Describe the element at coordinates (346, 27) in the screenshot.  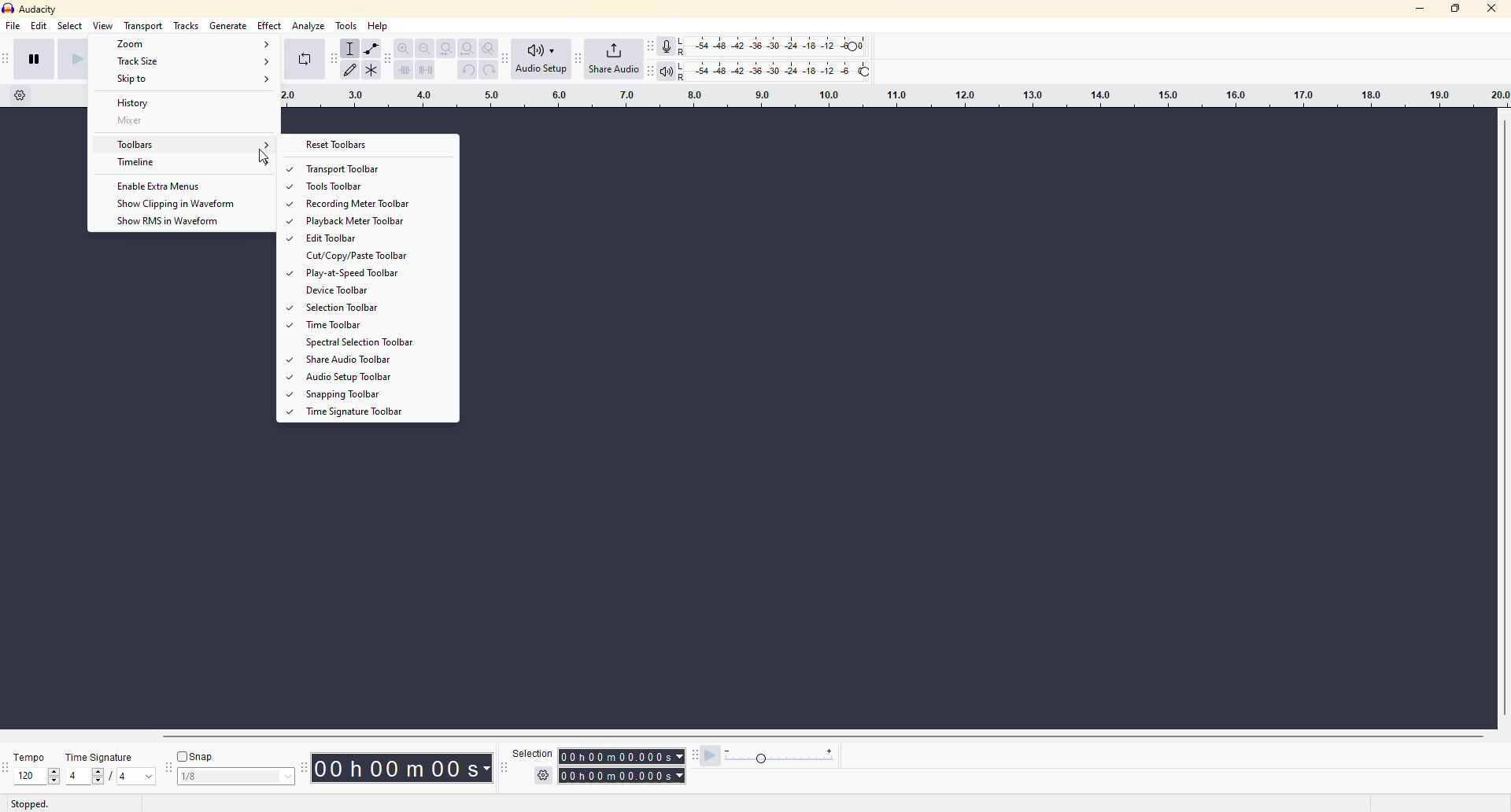
I see `tools` at that location.